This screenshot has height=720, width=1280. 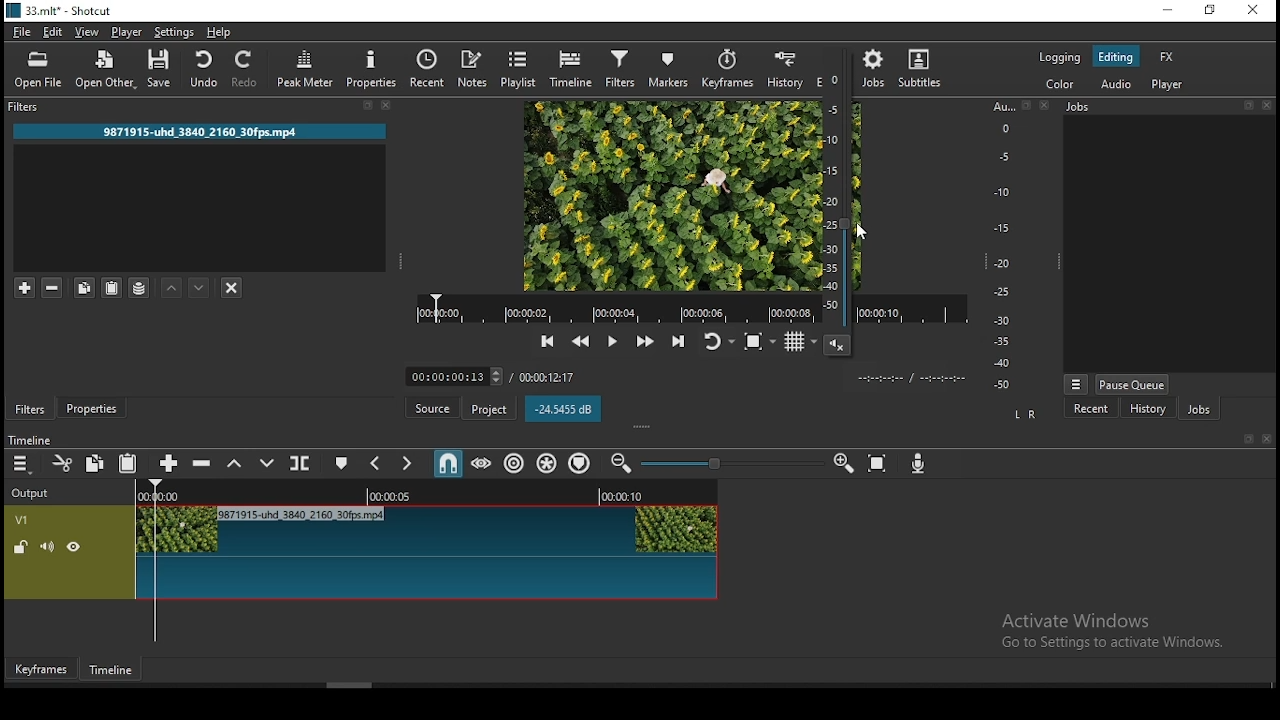 I want to click on history, so click(x=1149, y=407).